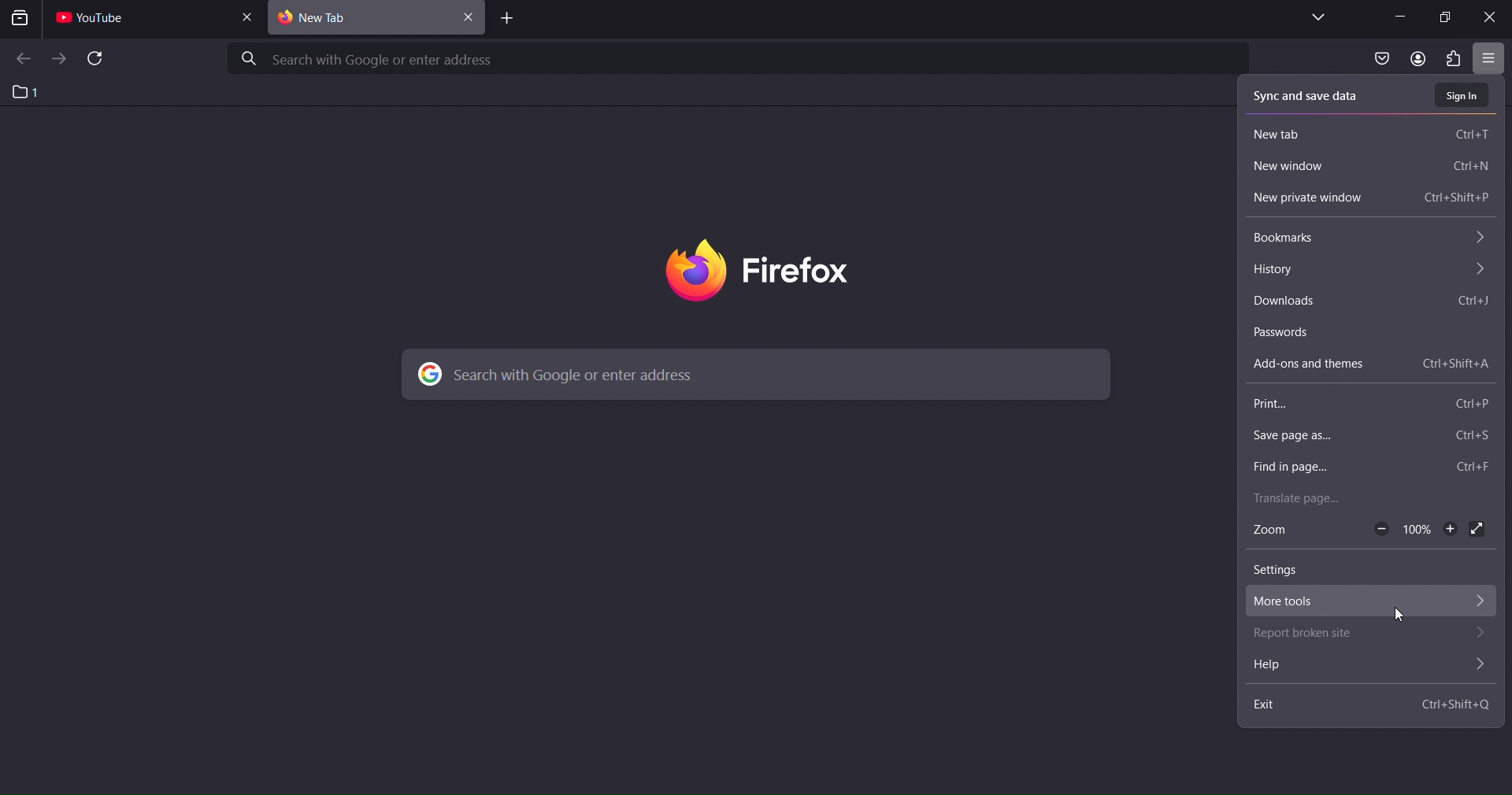 The width and height of the screenshot is (1512, 795). What do you see at coordinates (1470, 134) in the screenshot?
I see `Ctrl + T` at bounding box center [1470, 134].